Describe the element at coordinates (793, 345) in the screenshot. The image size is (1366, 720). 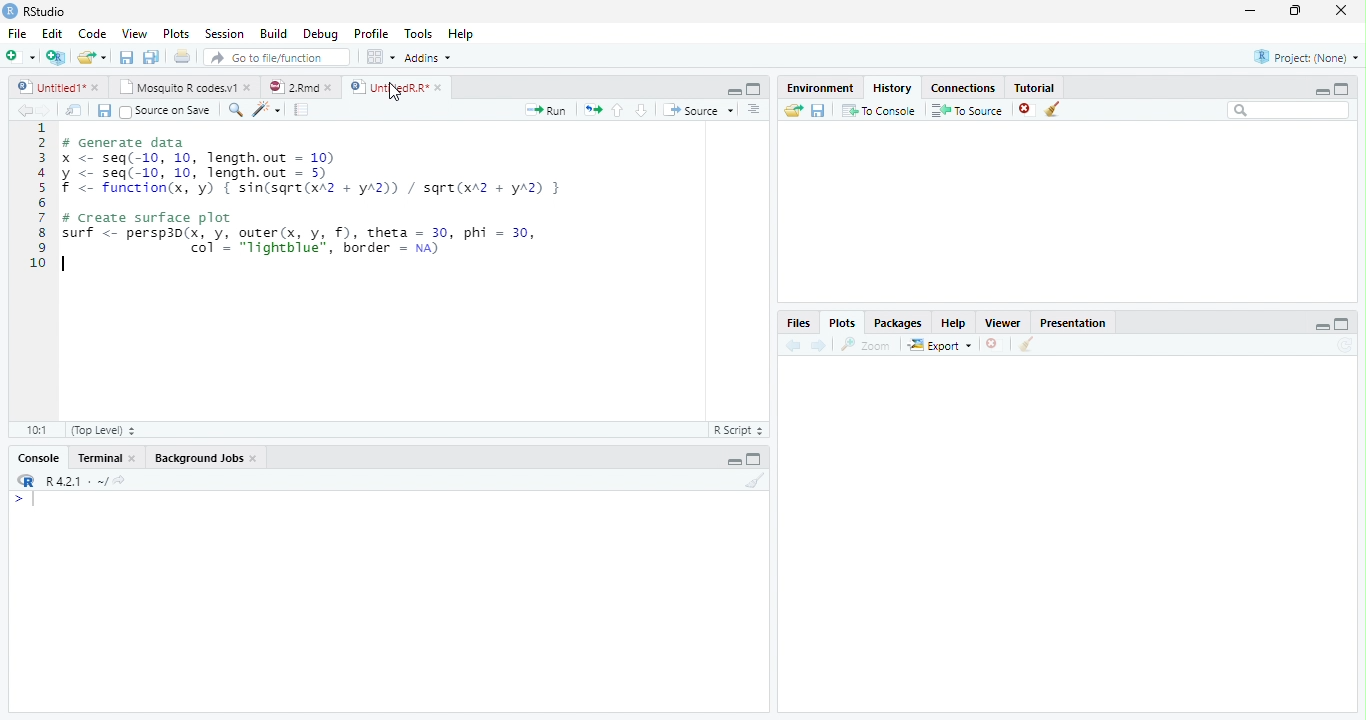
I see `Previous plot` at that location.